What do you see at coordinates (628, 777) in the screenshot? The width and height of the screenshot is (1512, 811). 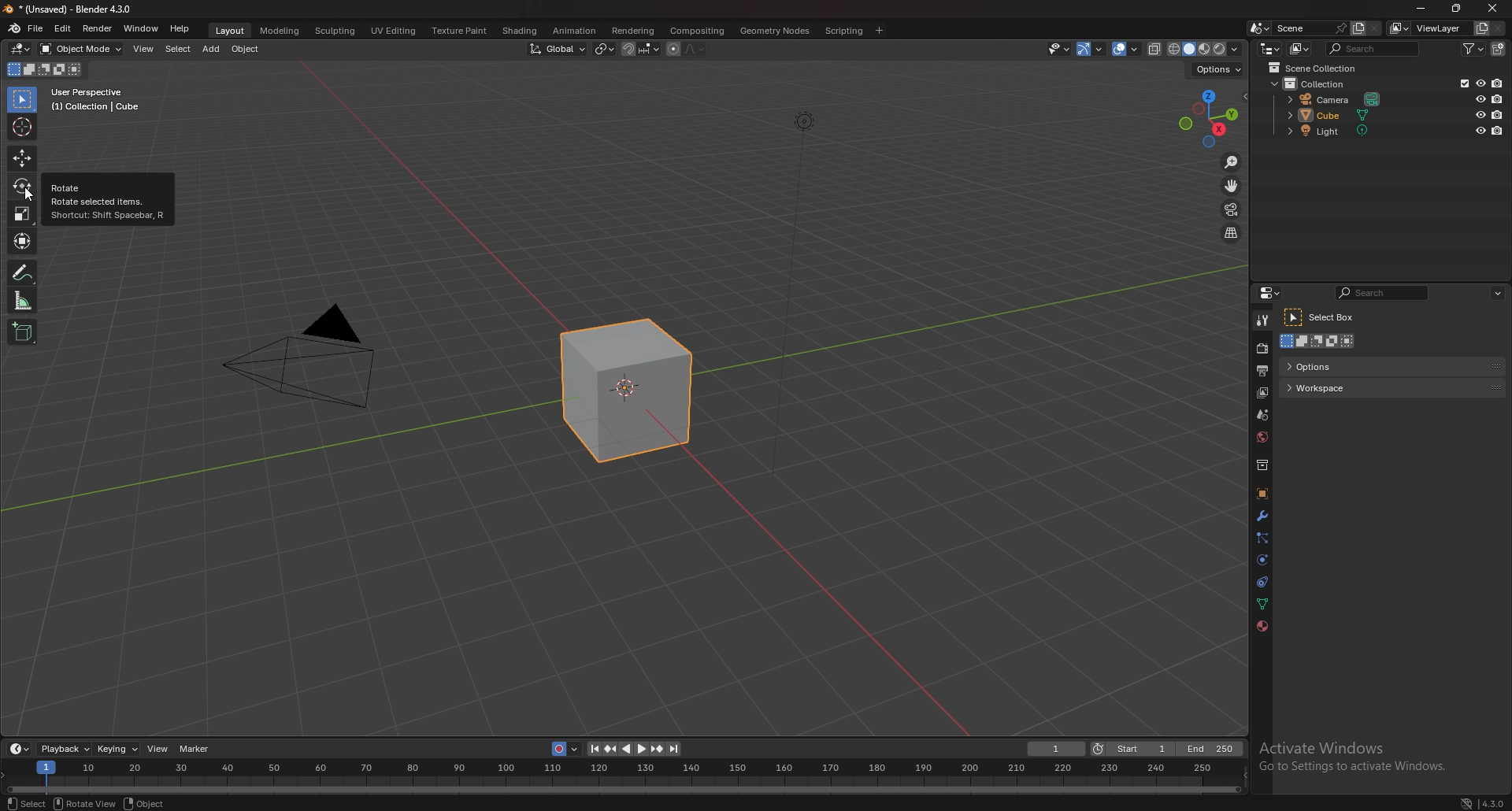 I see `Timeline` at bounding box center [628, 777].